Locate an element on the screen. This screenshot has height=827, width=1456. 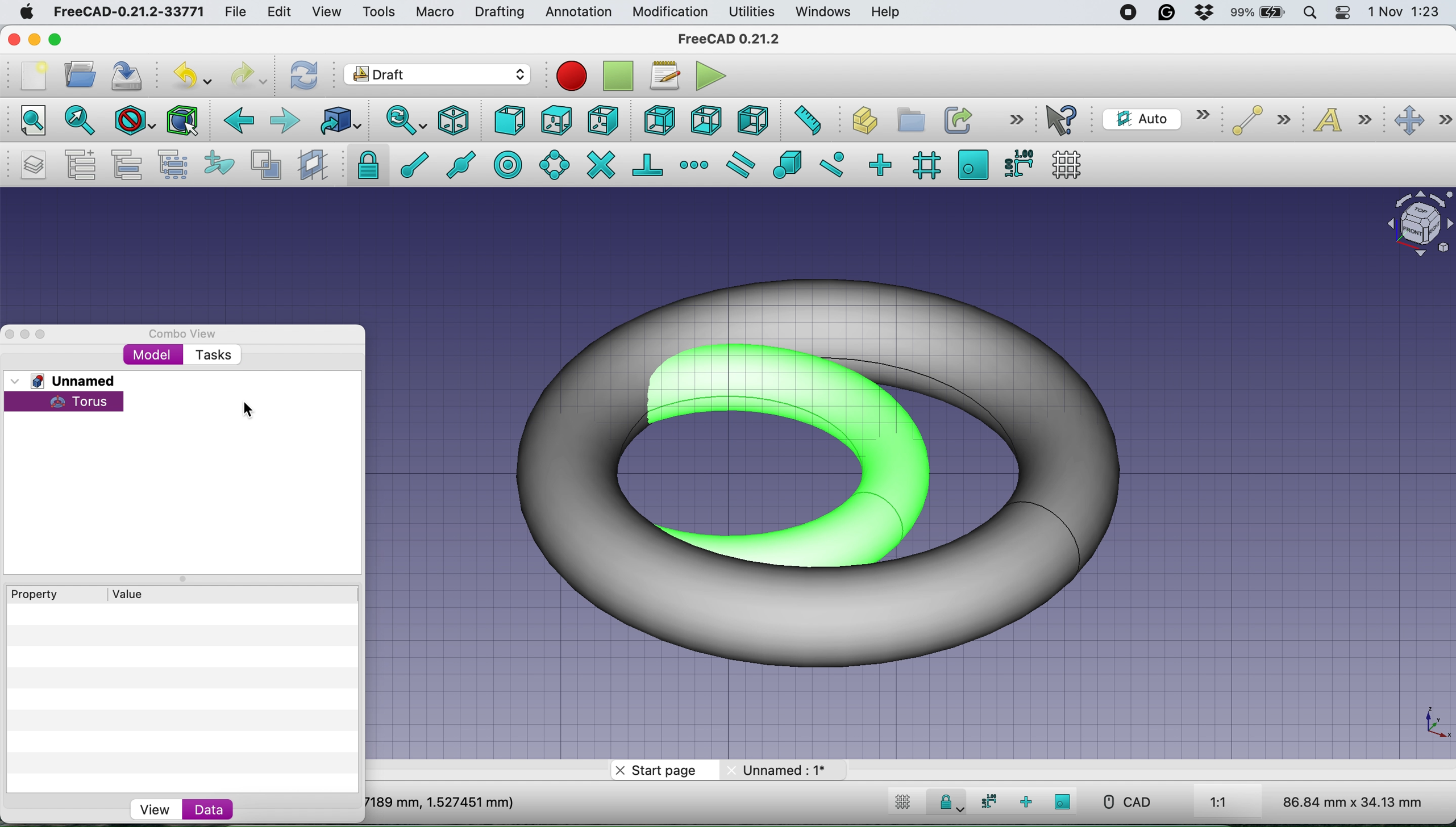
annotation is located at coordinates (578, 12).